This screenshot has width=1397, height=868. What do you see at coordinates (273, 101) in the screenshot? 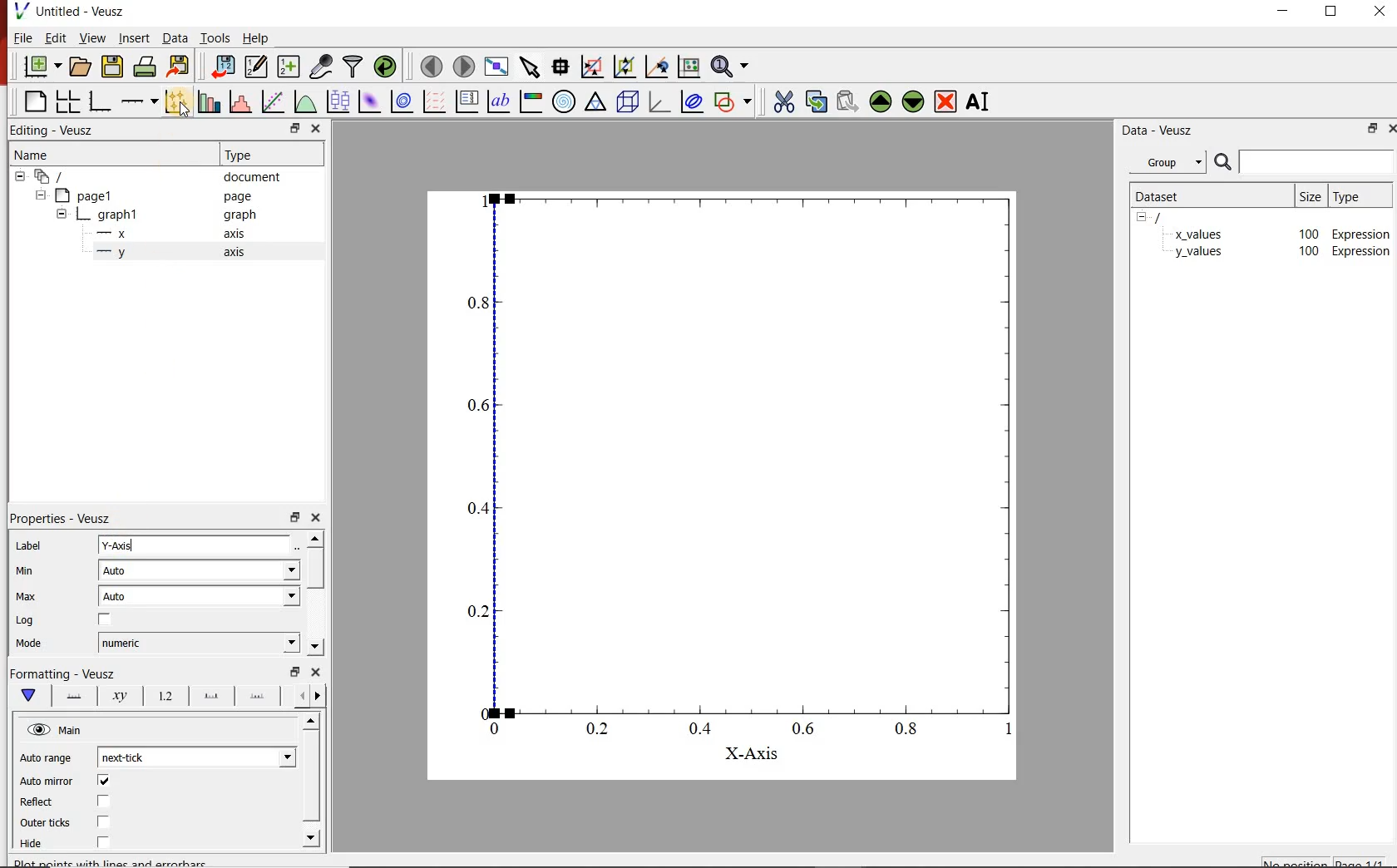
I see `fit a function to a data` at bounding box center [273, 101].